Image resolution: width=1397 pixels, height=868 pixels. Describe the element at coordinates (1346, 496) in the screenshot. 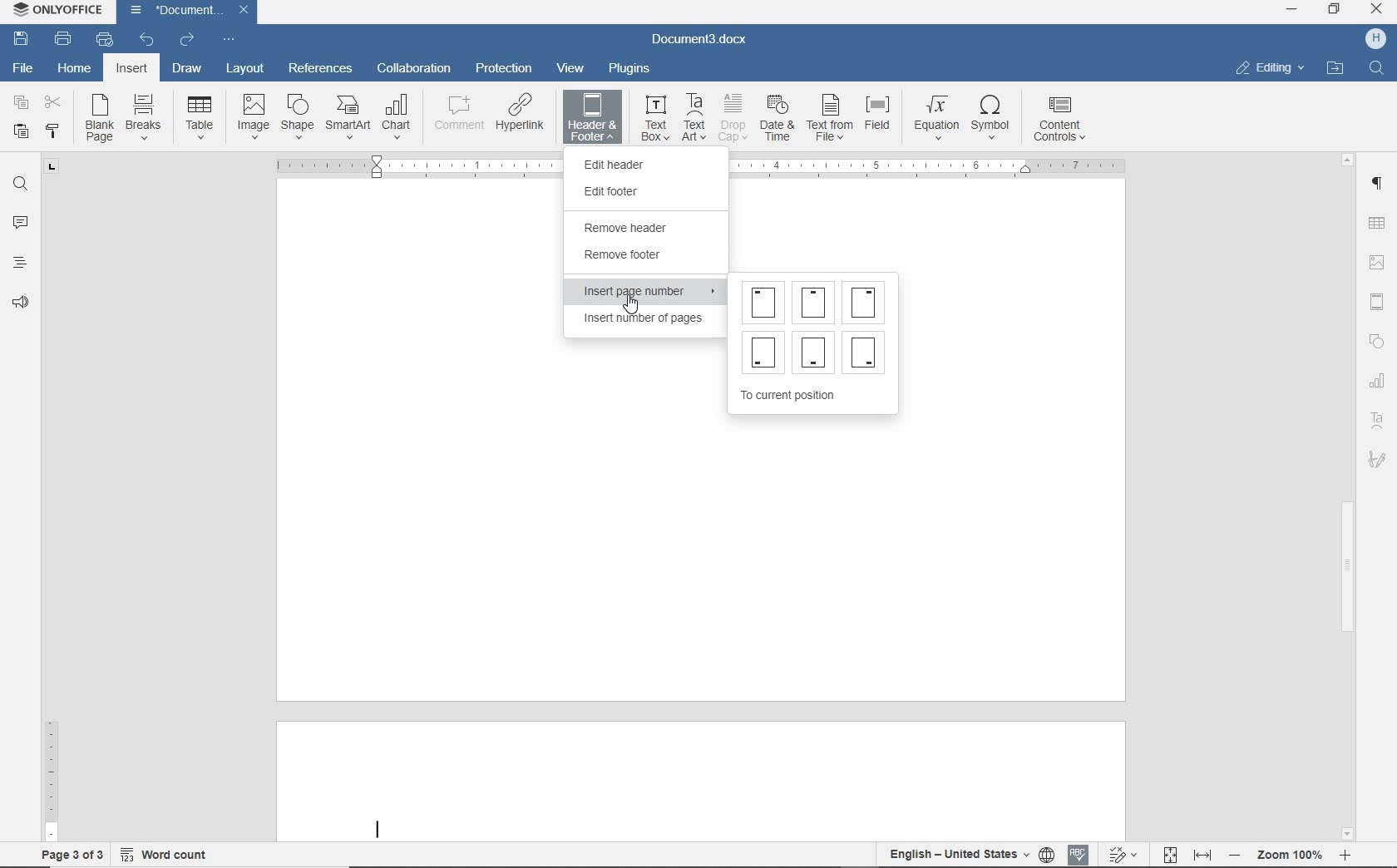

I see `SCROLLBAR` at that location.